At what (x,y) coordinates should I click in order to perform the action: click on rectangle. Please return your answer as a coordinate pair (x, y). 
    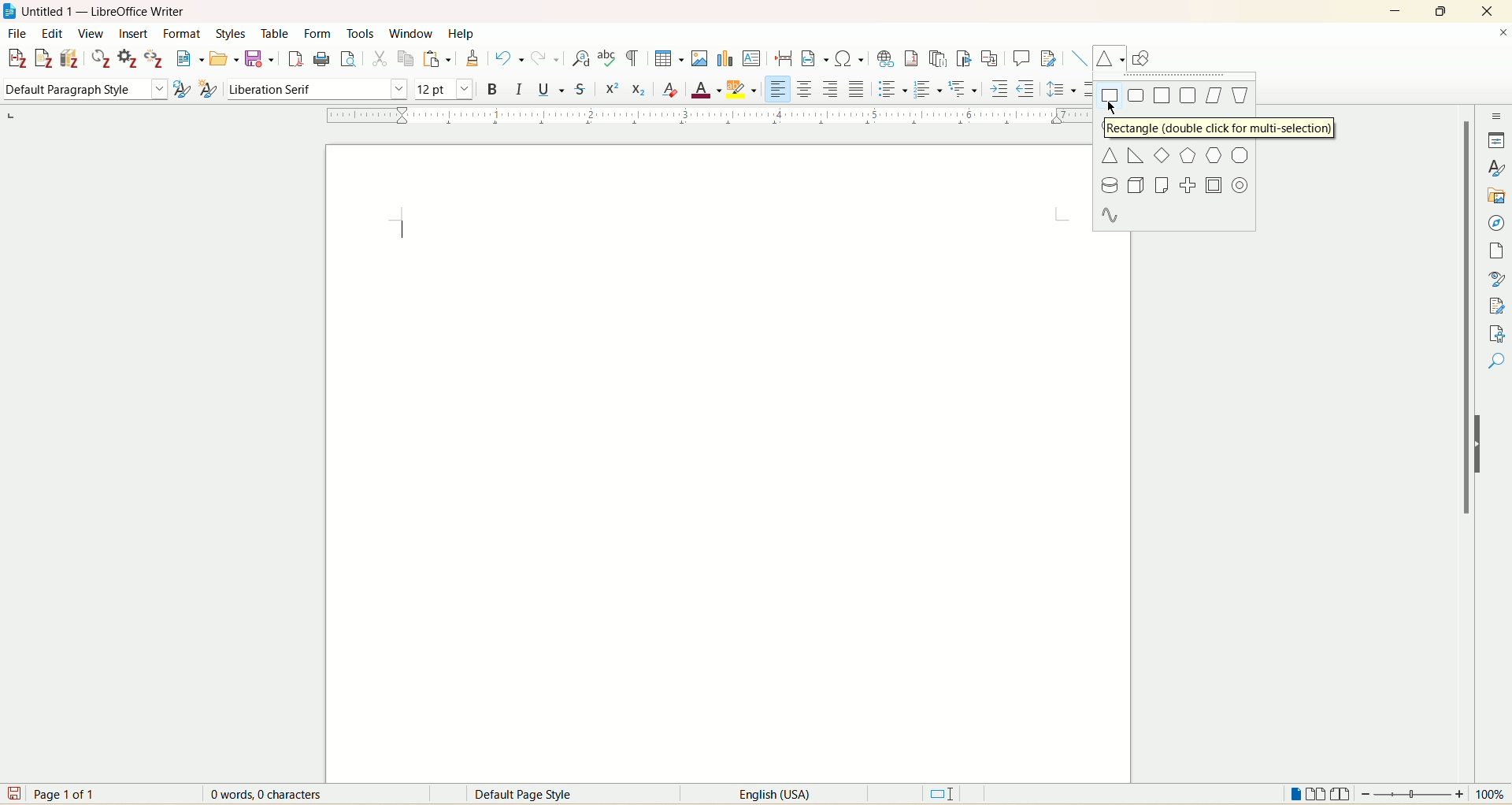
    Looking at the image, I should click on (1111, 95).